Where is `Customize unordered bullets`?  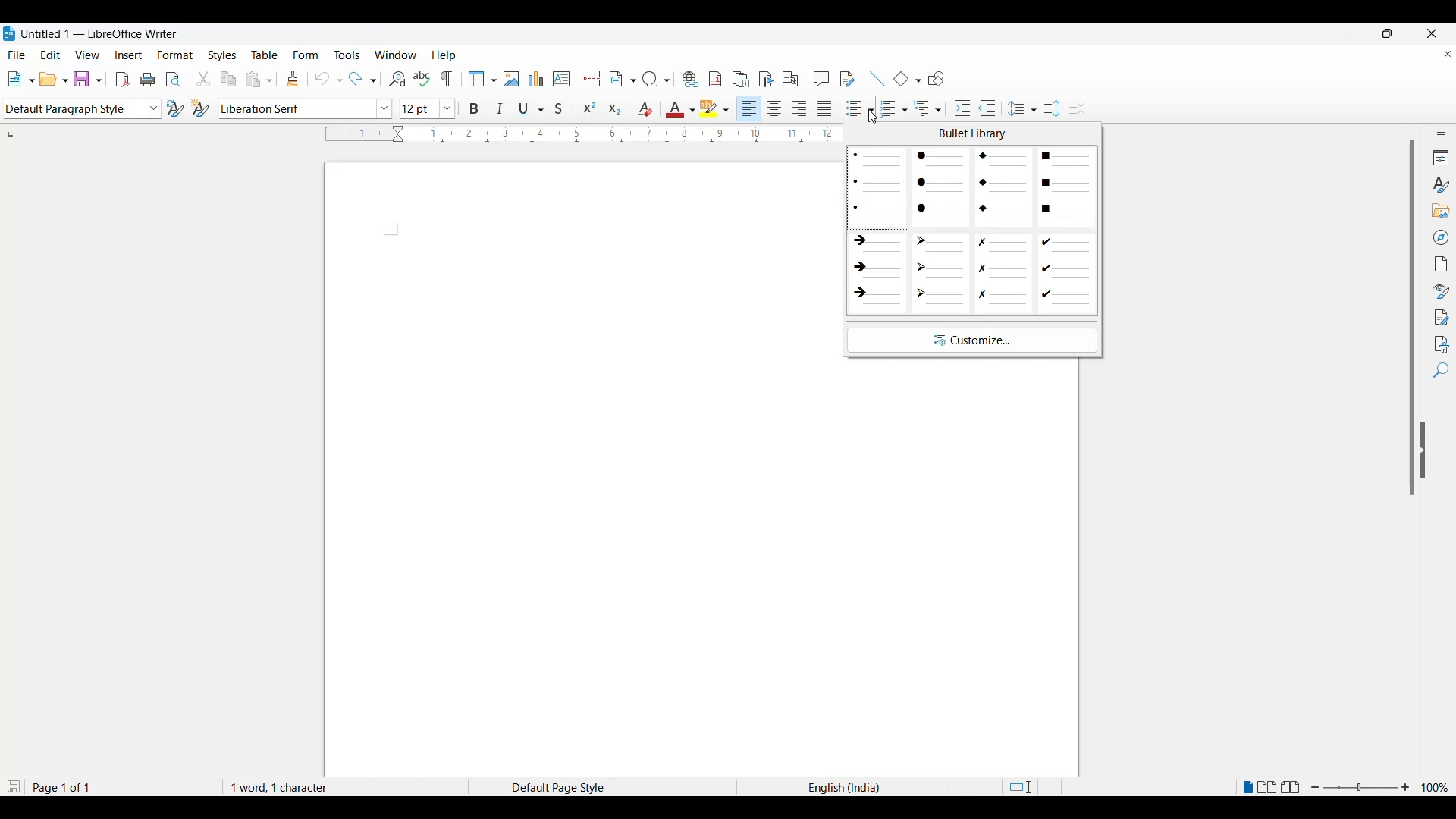
Customize unordered bullets is located at coordinates (971, 340).